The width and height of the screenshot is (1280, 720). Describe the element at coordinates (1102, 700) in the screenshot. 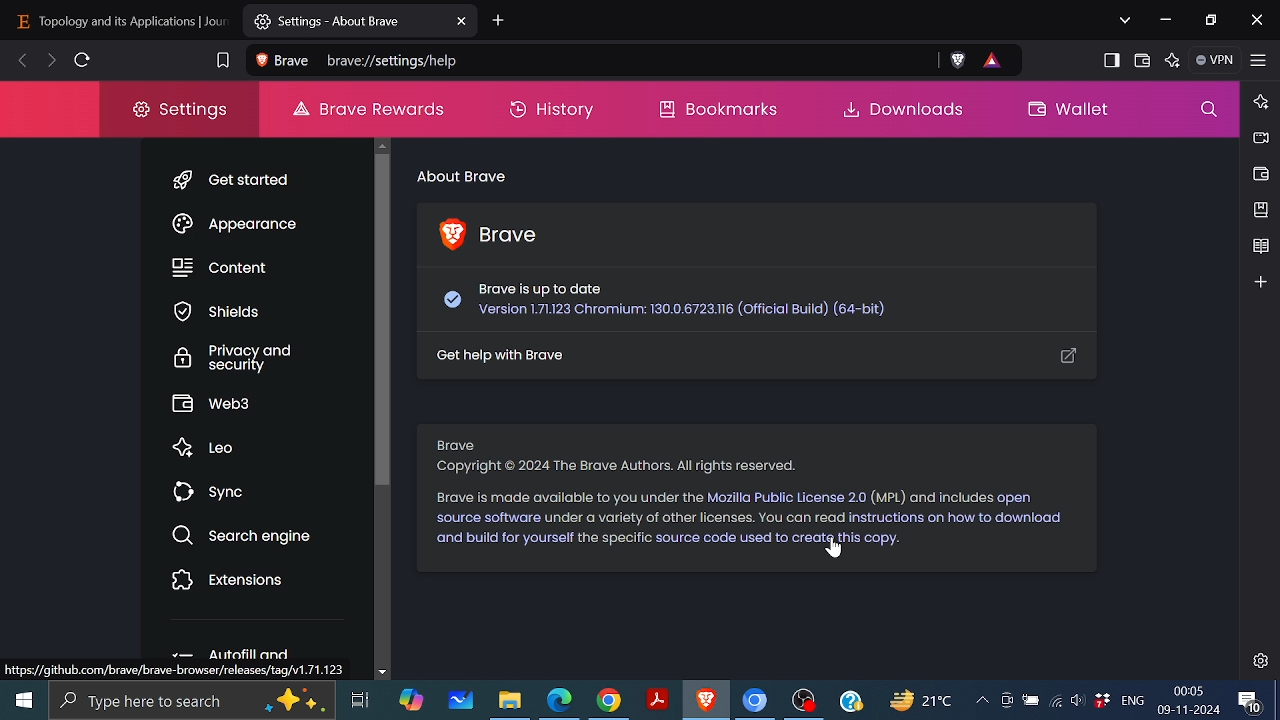

I see `Dropbox` at that location.